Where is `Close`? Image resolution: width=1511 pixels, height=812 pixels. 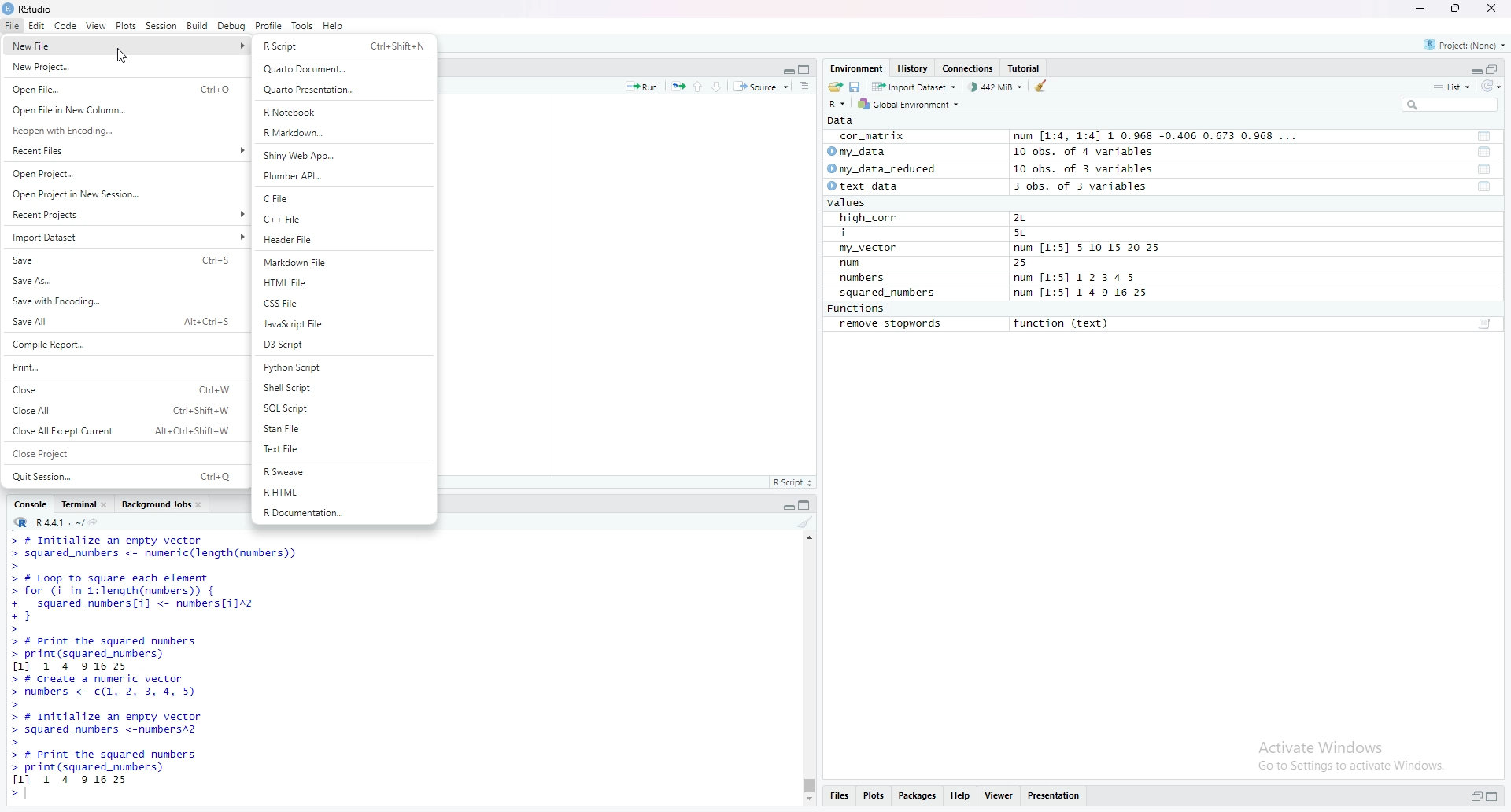
Close is located at coordinates (1491, 9).